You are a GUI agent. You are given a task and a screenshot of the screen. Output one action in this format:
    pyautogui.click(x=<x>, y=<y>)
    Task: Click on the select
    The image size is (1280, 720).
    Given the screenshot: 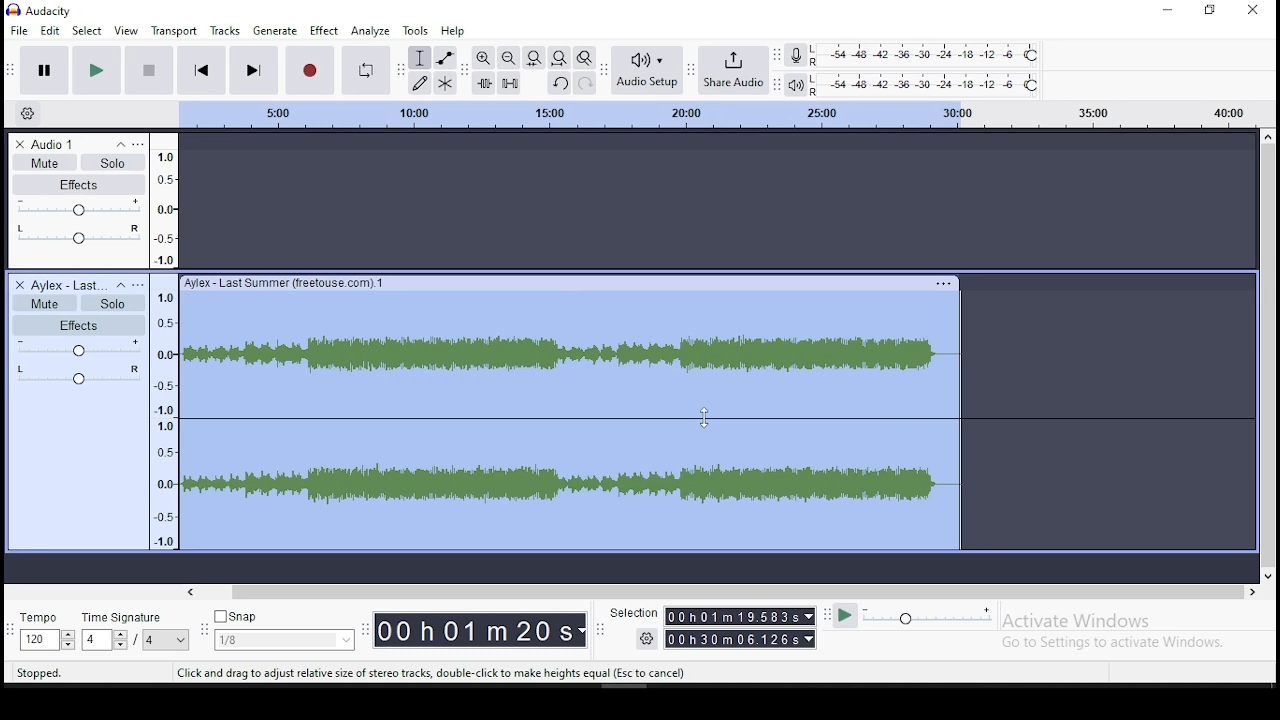 What is the action you would take?
    pyautogui.click(x=88, y=30)
    